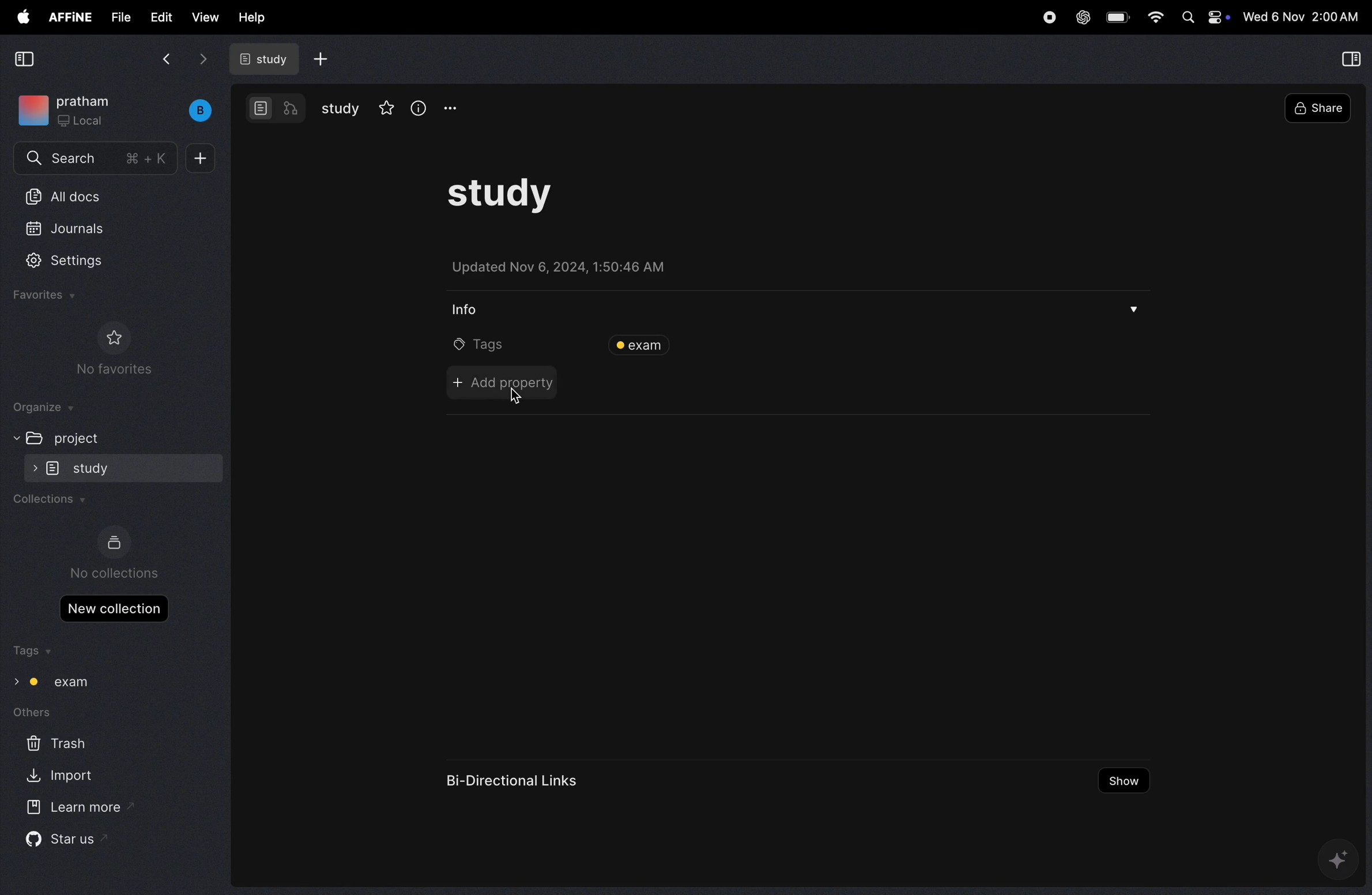  Describe the element at coordinates (273, 108) in the screenshot. I see `modes` at that location.